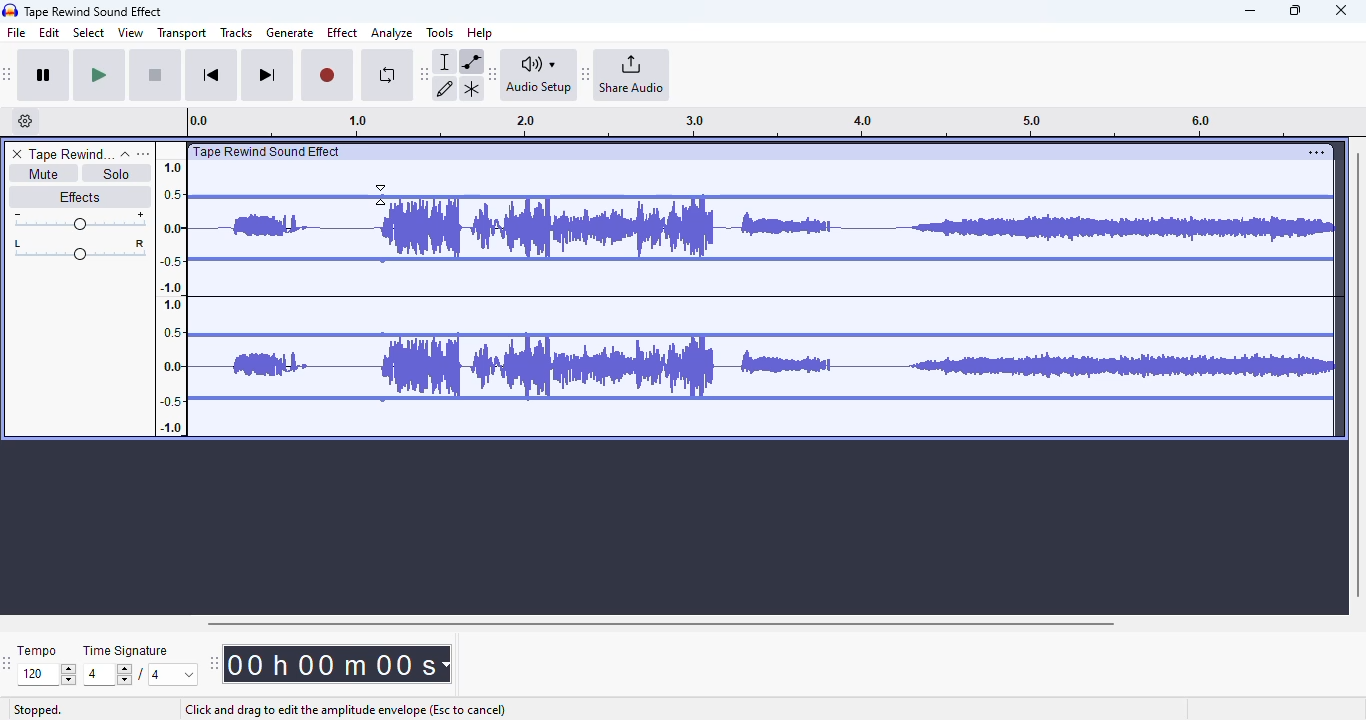  Describe the element at coordinates (79, 196) in the screenshot. I see `effects` at that location.